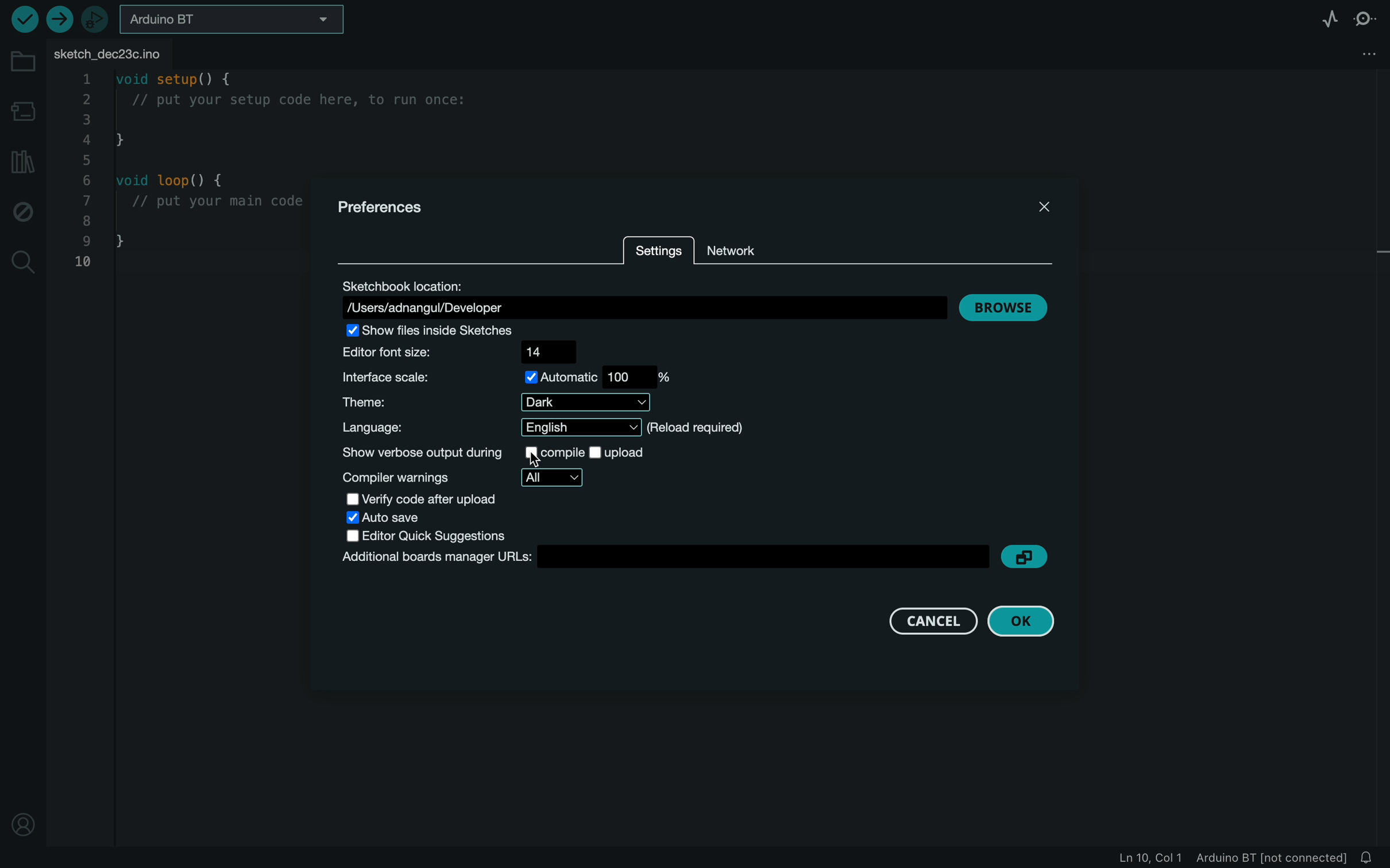 This screenshot has width=1390, height=868. What do you see at coordinates (742, 247) in the screenshot?
I see `network` at bounding box center [742, 247].